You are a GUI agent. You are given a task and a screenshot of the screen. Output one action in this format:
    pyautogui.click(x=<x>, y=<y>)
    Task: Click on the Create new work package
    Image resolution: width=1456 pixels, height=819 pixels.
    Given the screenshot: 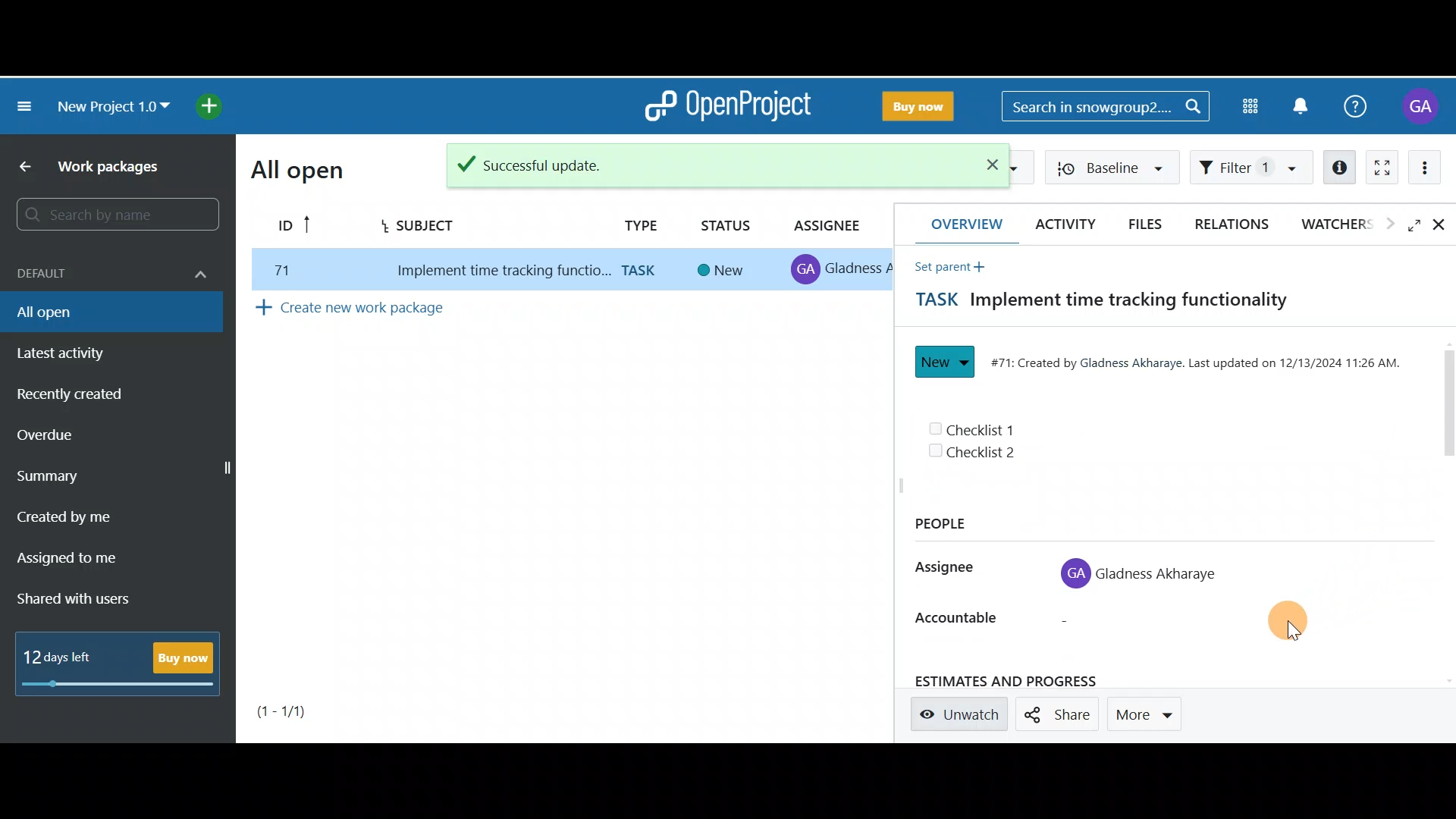 What is the action you would take?
    pyautogui.click(x=390, y=311)
    